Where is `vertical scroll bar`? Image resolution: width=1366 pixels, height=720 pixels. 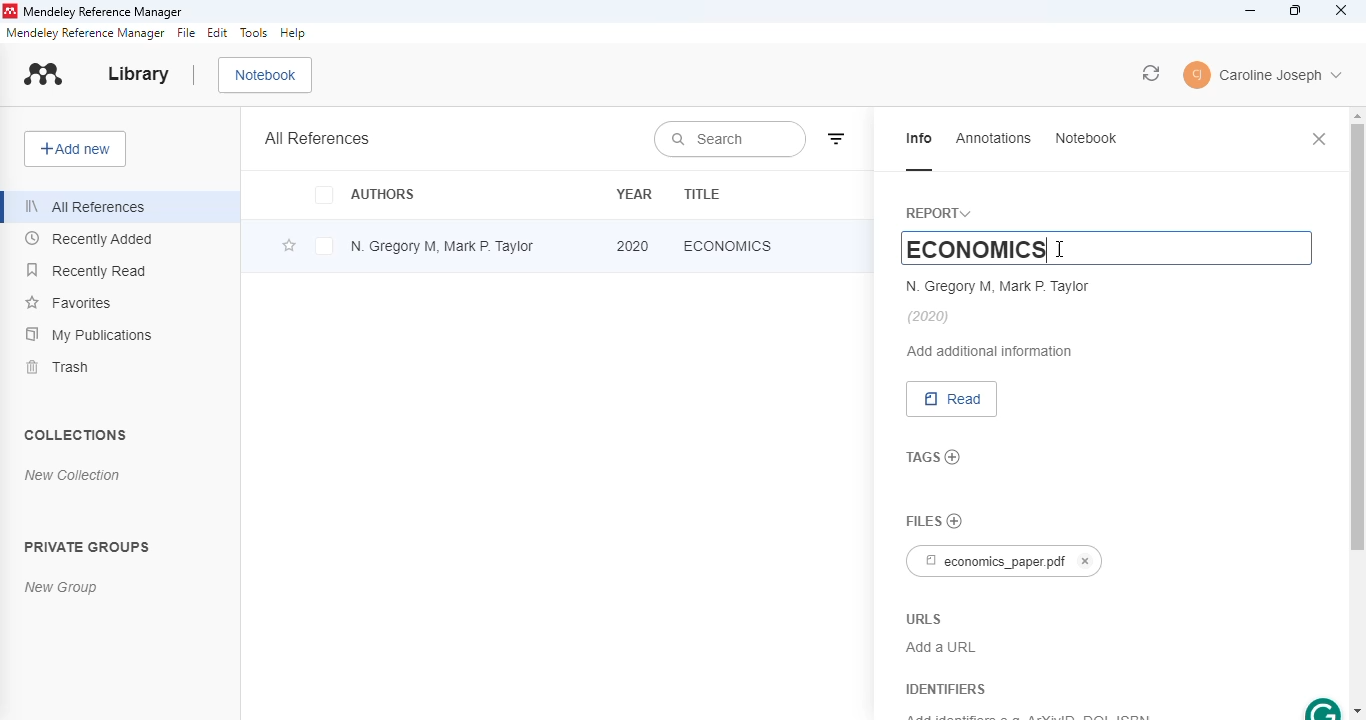
vertical scroll bar is located at coordinates (1355, 338).